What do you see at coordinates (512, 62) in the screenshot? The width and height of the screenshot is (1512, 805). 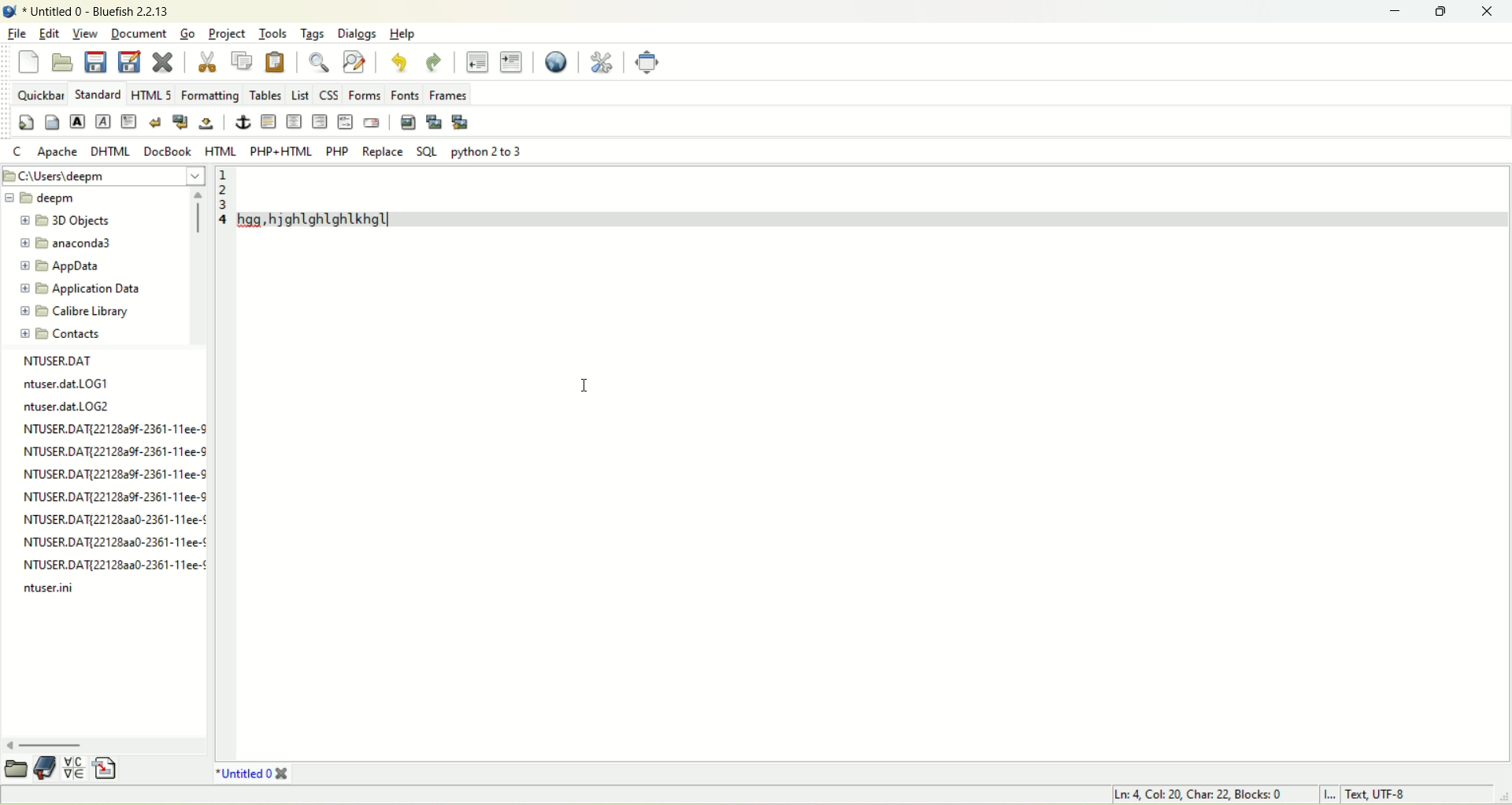 I see `indent` at bounding box center [512, 62].